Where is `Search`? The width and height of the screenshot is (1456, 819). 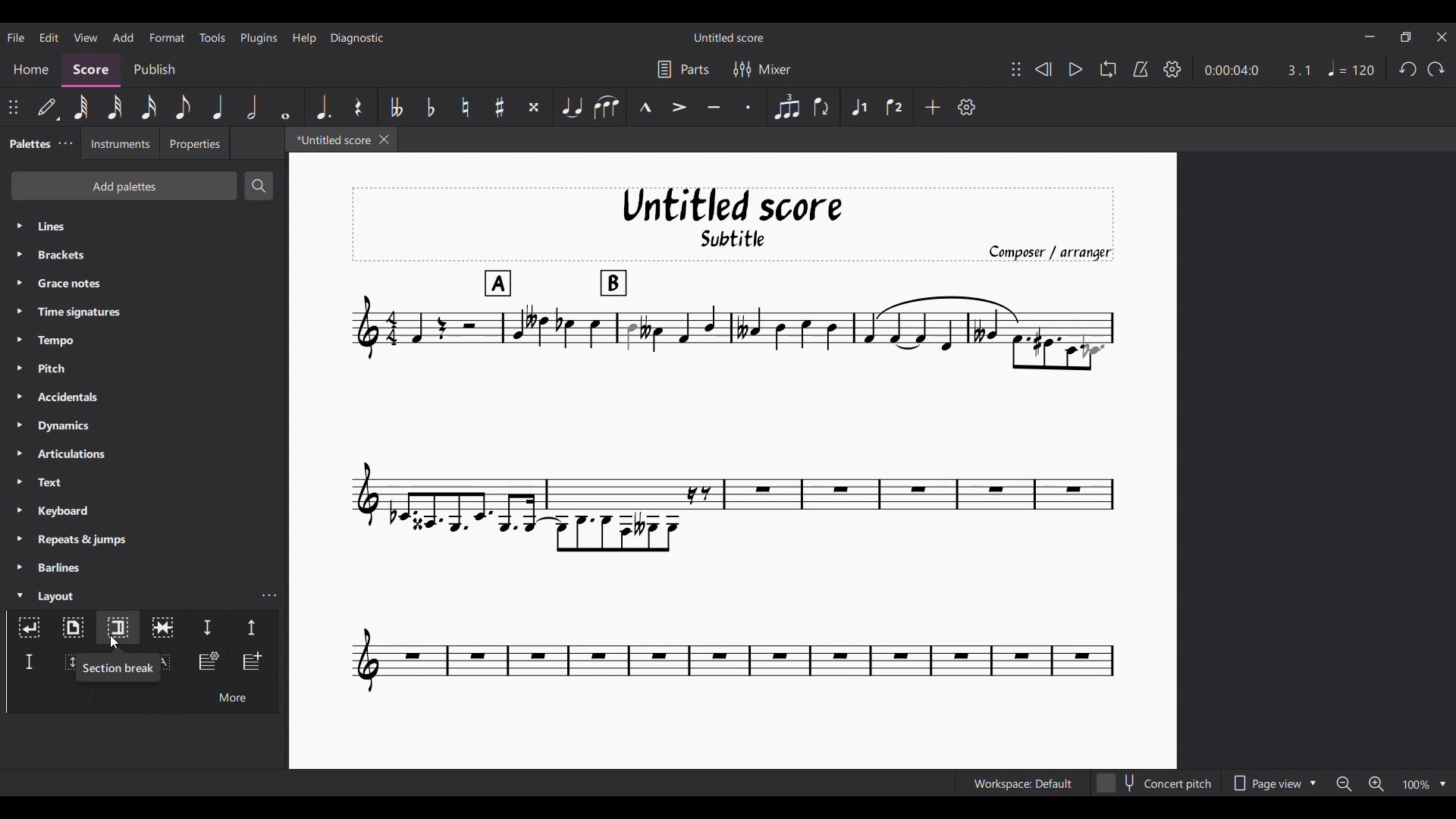 Search is located at coordinates (257, 186).